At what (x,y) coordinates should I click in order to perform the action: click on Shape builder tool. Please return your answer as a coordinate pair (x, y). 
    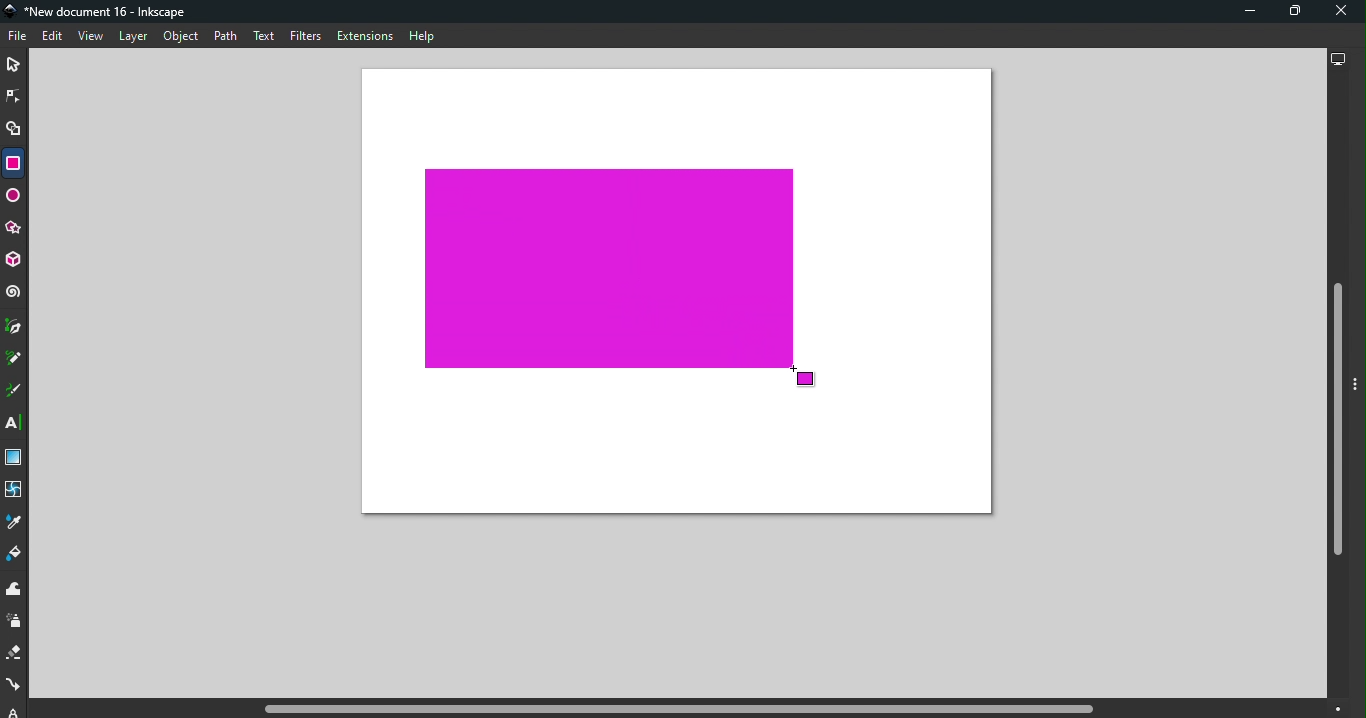
    Looking at the image, I should click on (16, 132).